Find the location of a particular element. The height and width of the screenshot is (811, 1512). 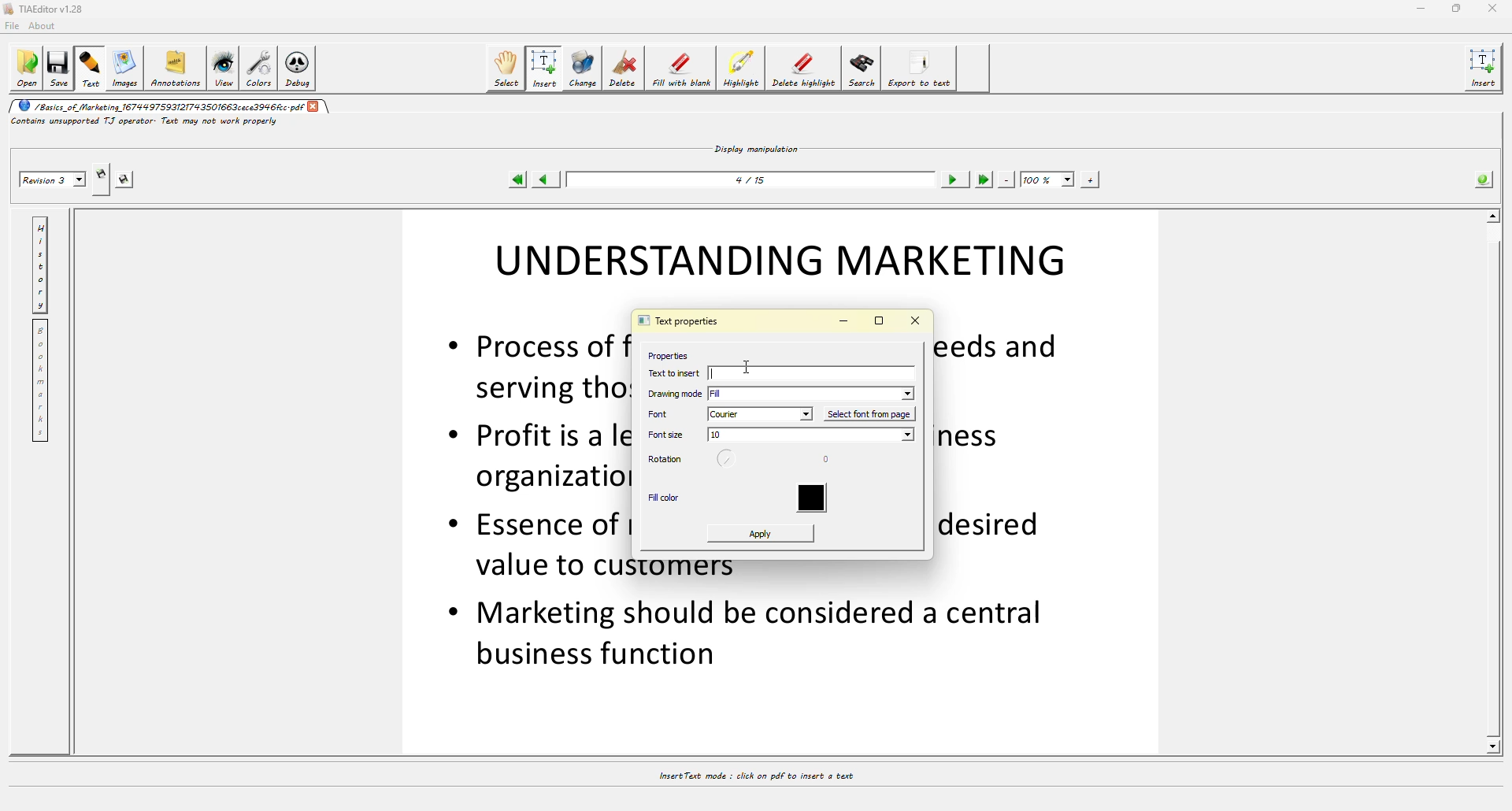

export to text is located at coordinates (922, 69).